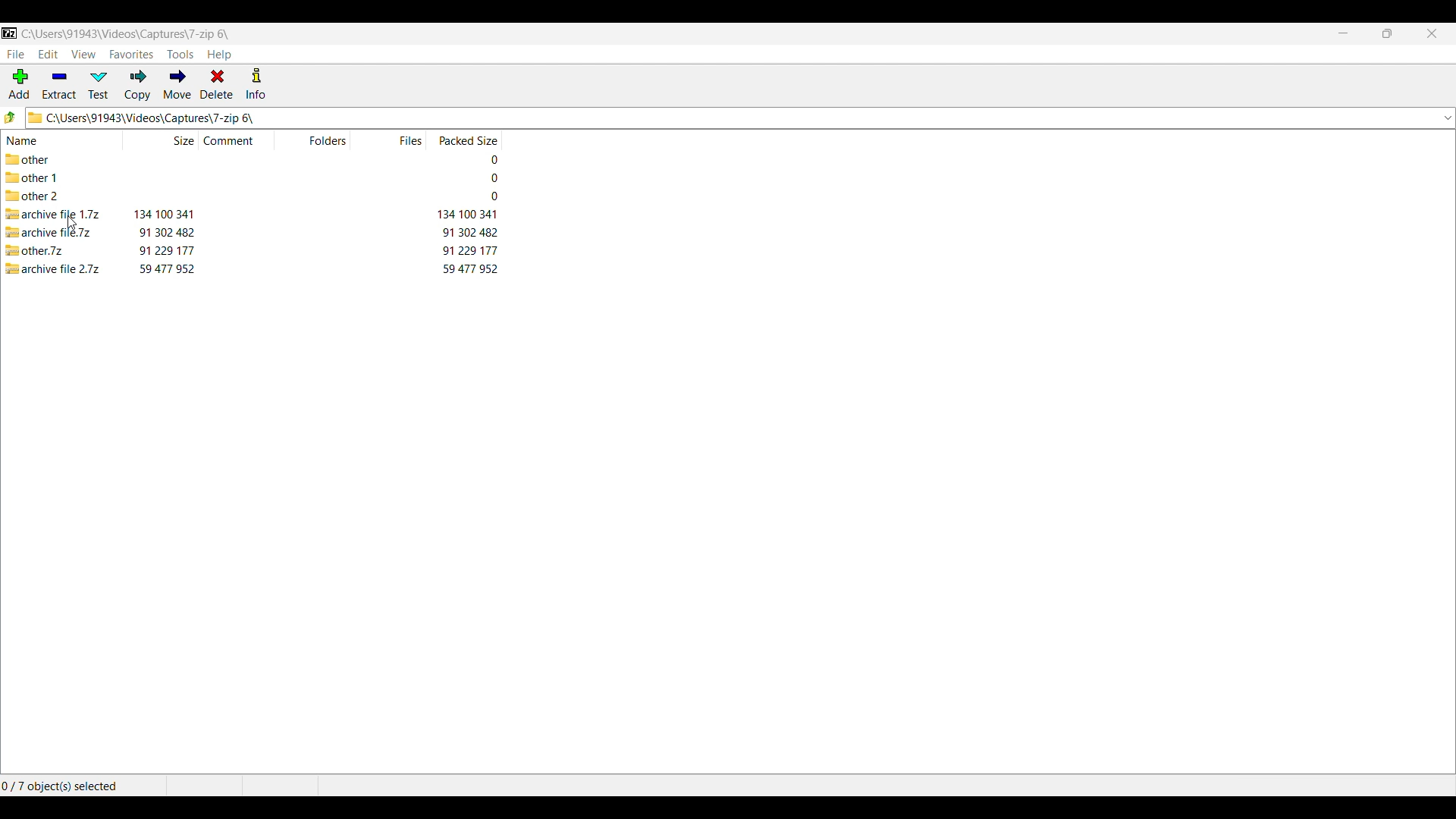  I want to click on Test, so click(99, 85).